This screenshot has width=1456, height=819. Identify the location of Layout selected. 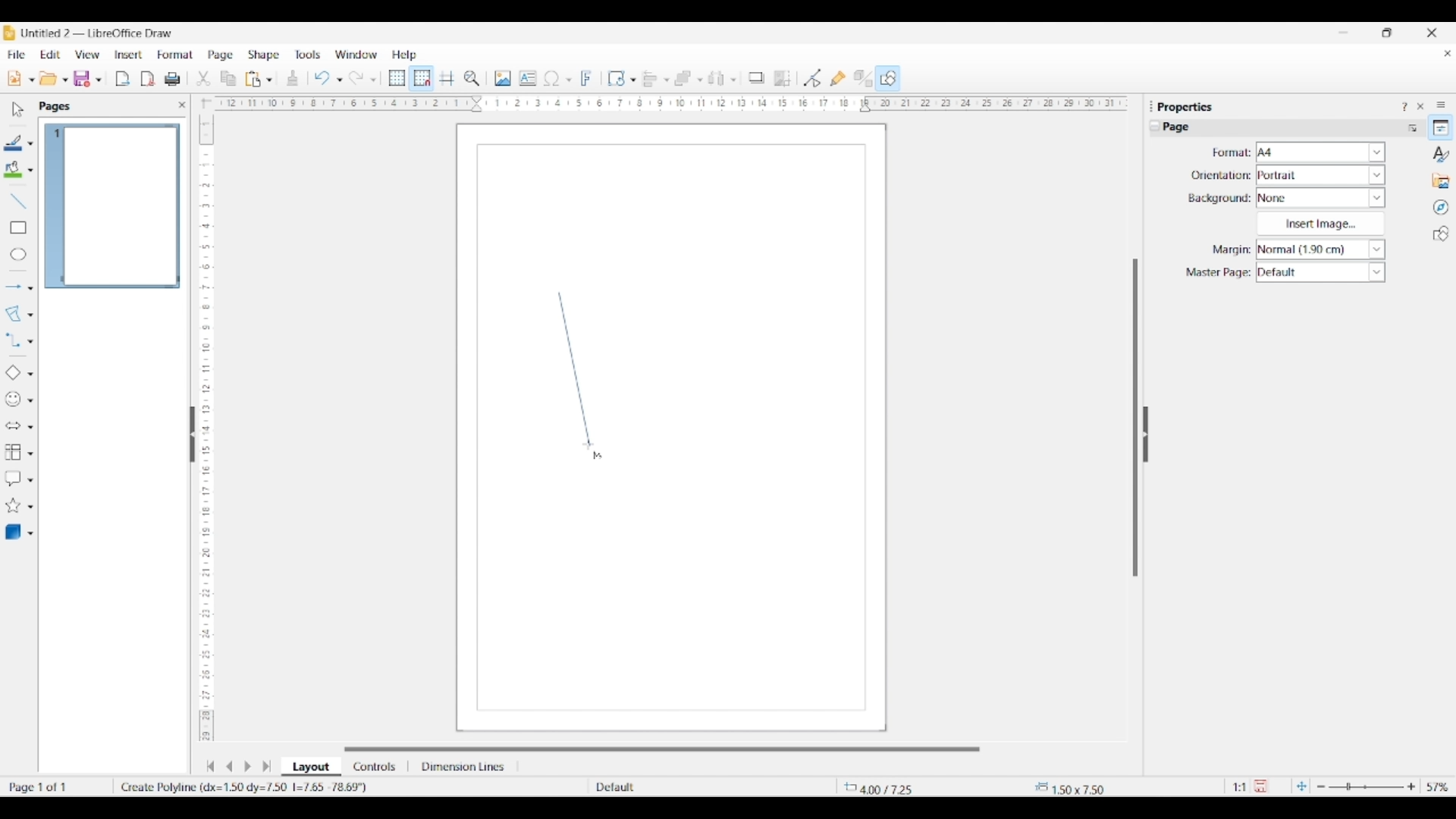
(311, 767).